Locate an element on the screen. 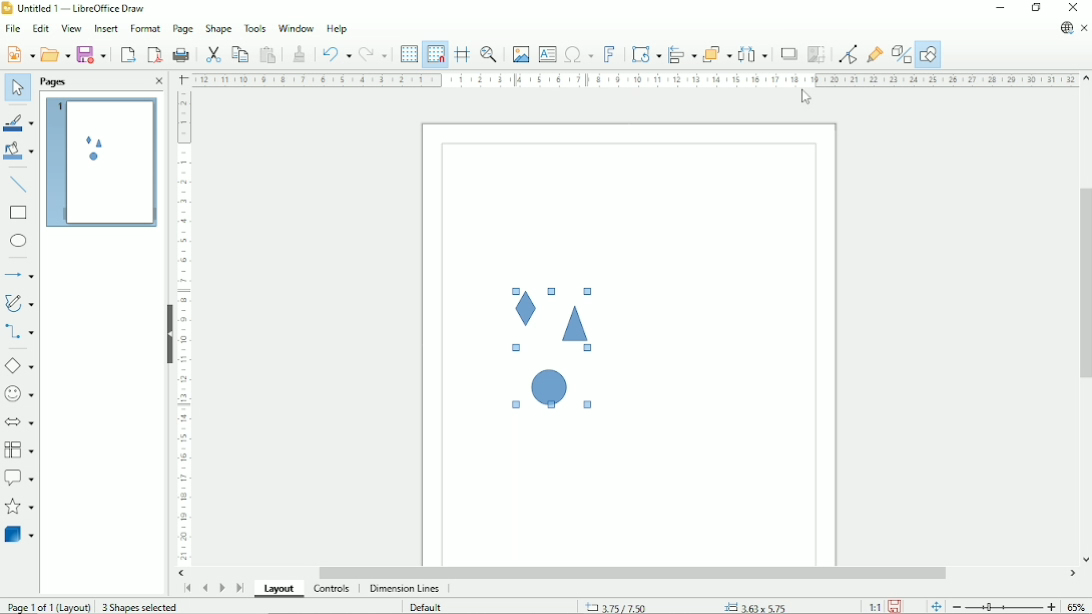 This screenshot has width=1092, height=614. Toggle extrusion is located at coordinates (901, 55).